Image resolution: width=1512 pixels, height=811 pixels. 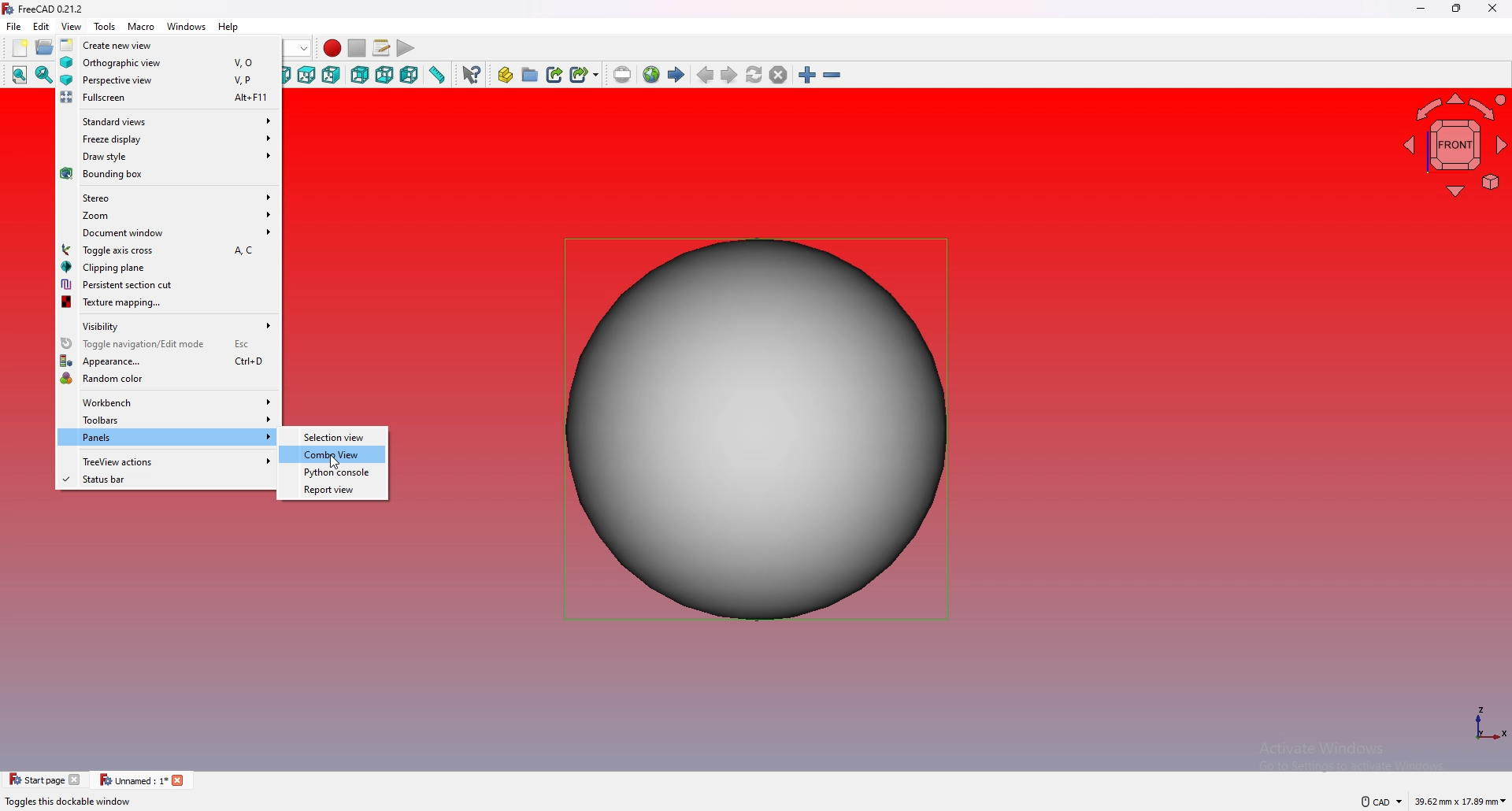 What do you see at coordinates (584, 74) in the screenshot?
I see `create sublink` at bounding box center [584, 74].